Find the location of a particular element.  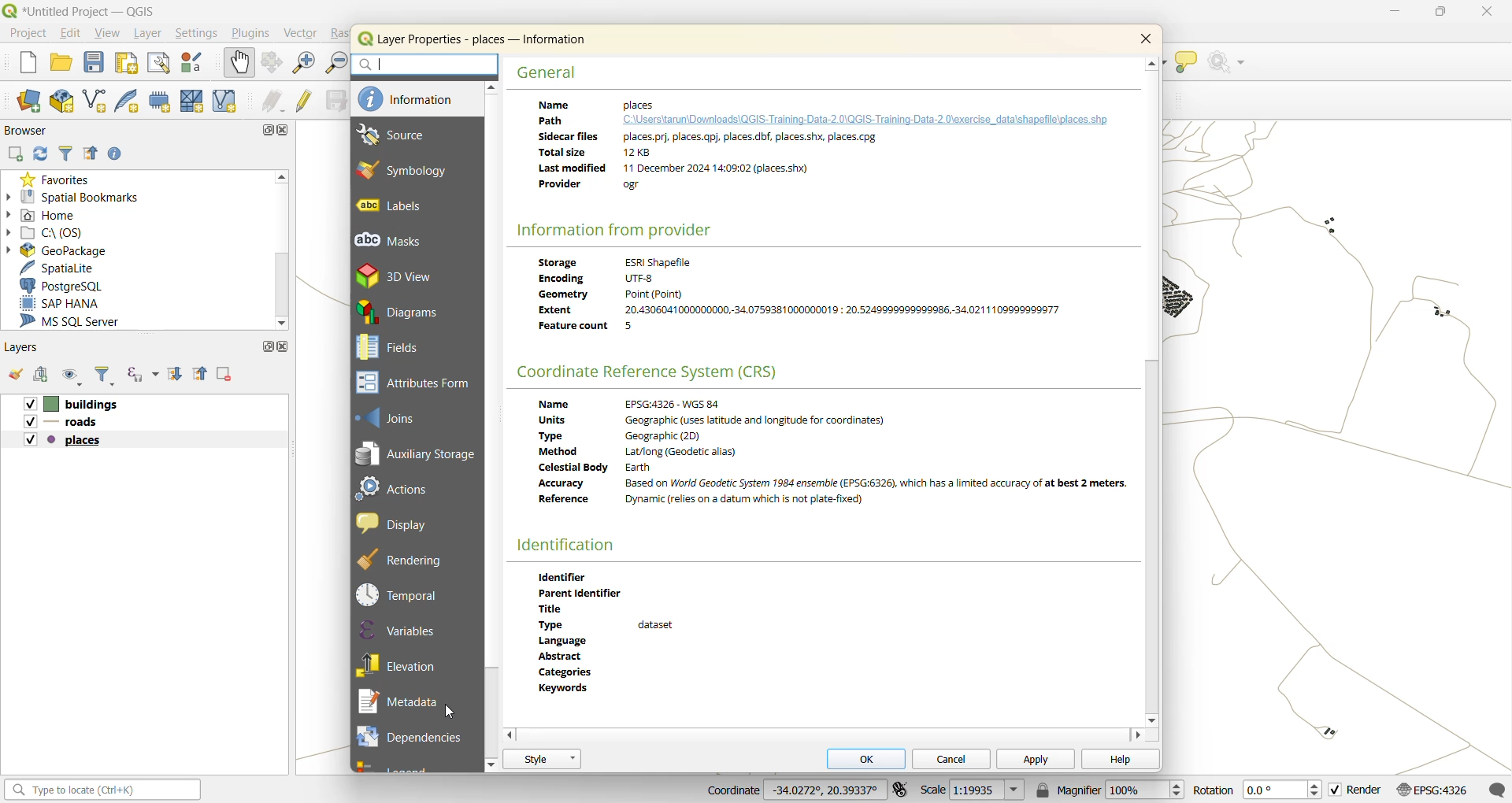

vector is located at coordinates (305, 33).